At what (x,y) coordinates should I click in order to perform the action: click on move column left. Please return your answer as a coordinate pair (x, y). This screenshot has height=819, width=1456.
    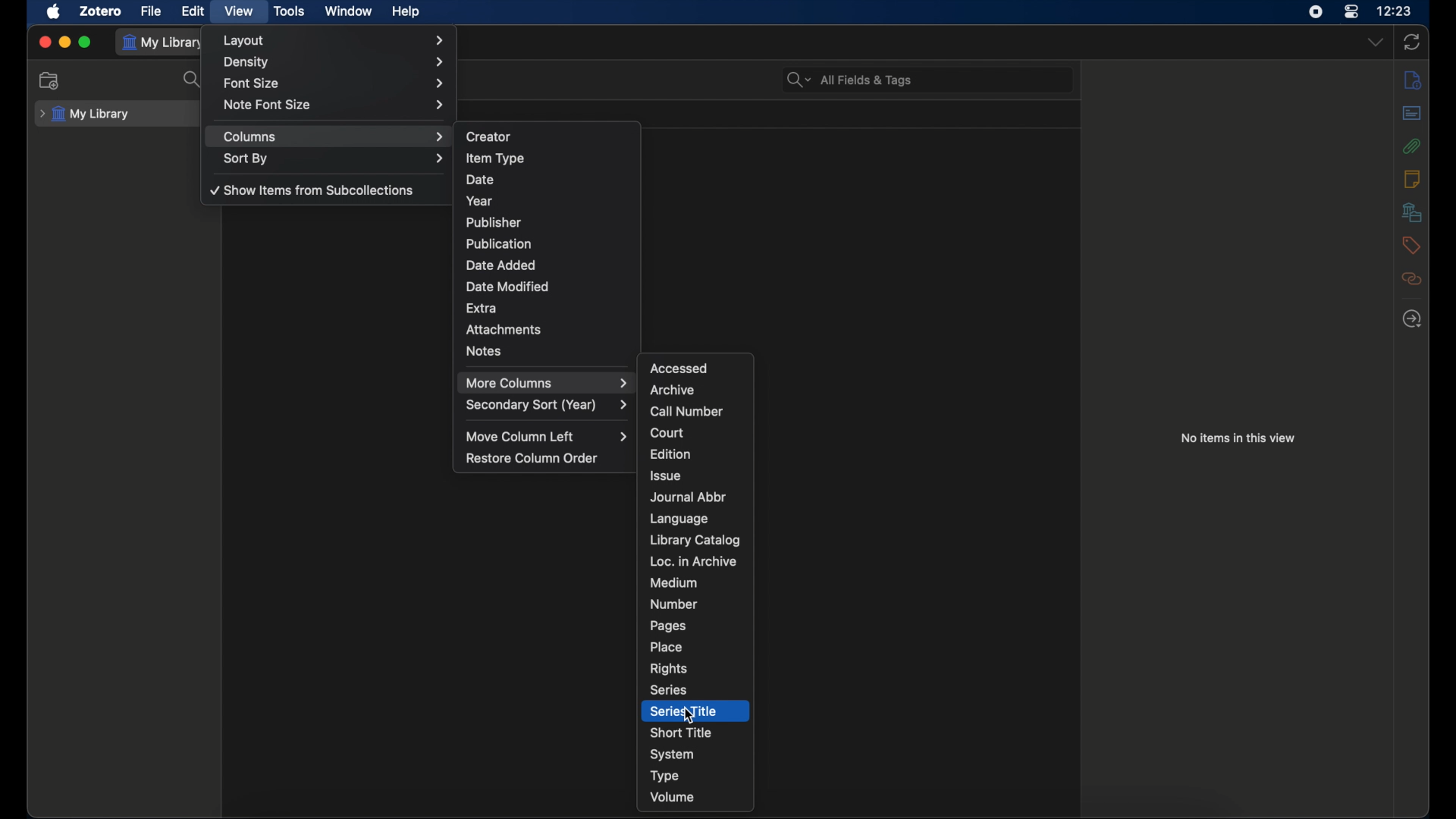
    Looking at the image, I should click on (548, 437).